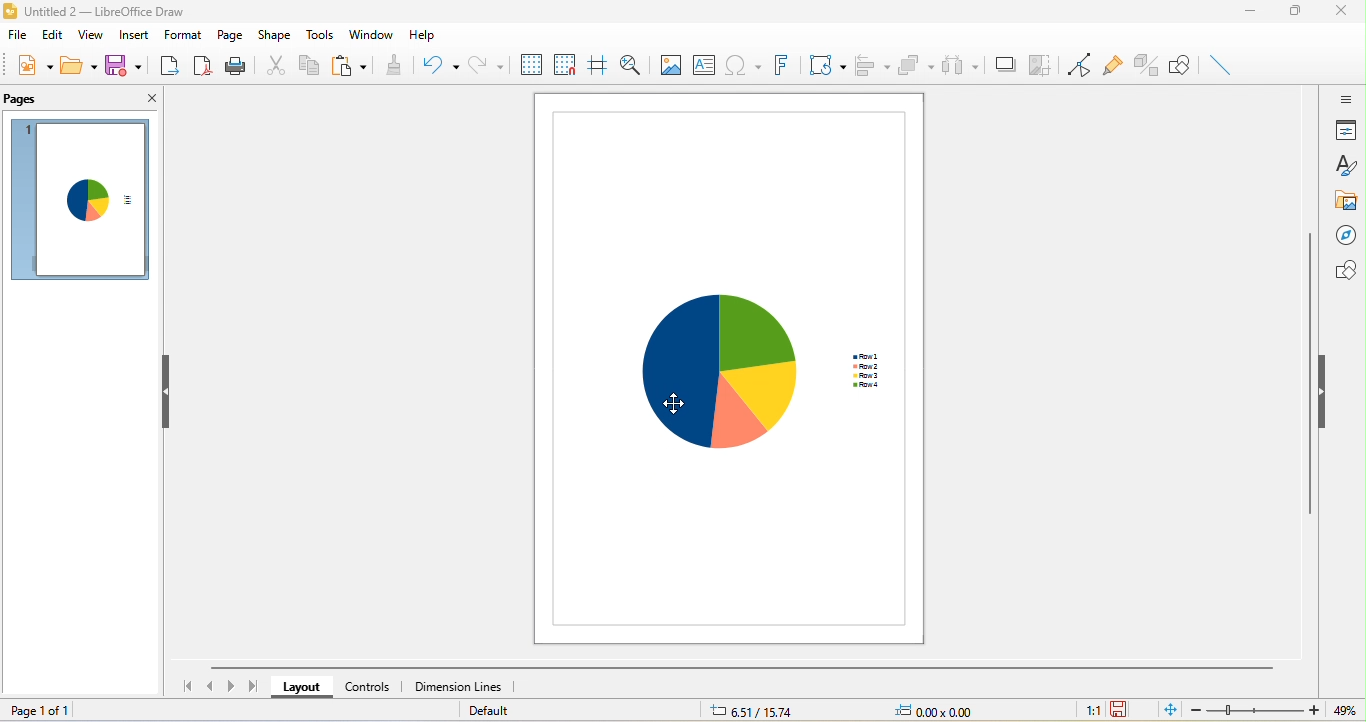 The width and height of the screenshot is (1366, 722). What do you see at coordinates (79, 201) in the screenshot?
I see `page preview` at bounding box center [79, 201].